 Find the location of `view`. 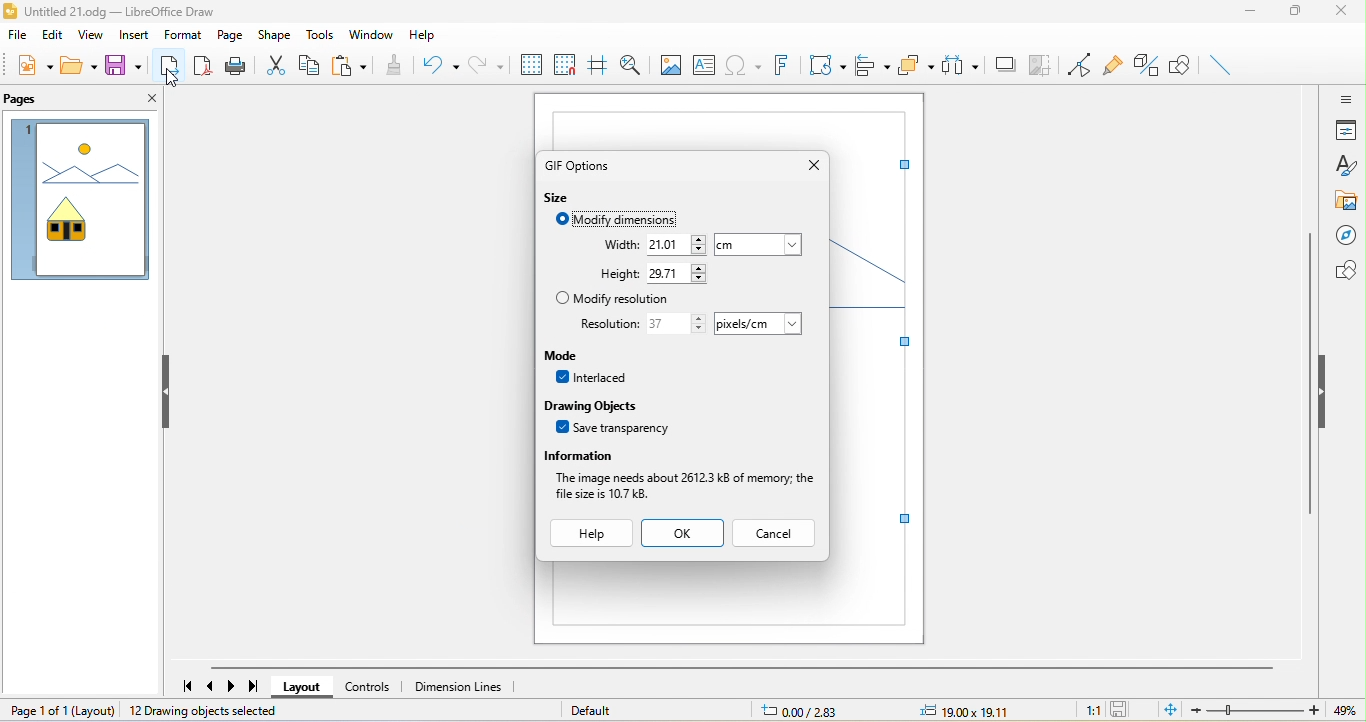

view is located at coordinates (95, 35).